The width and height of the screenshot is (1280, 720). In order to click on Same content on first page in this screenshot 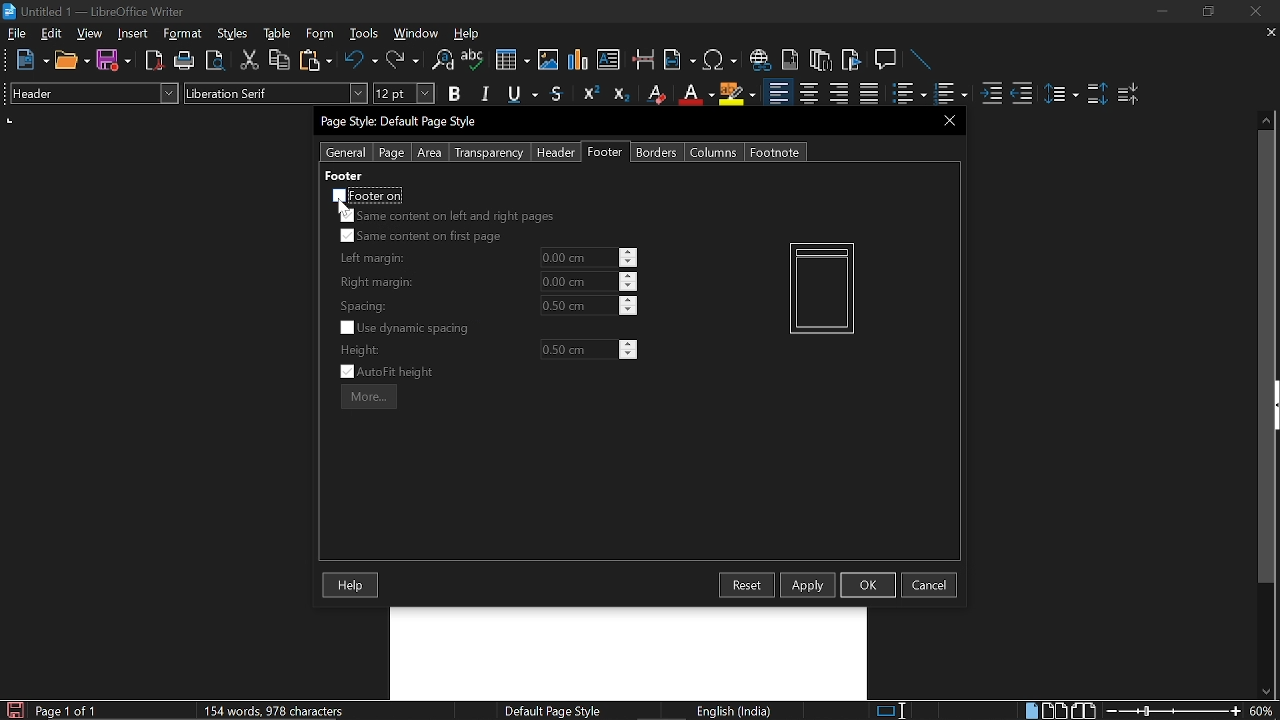, I will do `click(422, 237)`.